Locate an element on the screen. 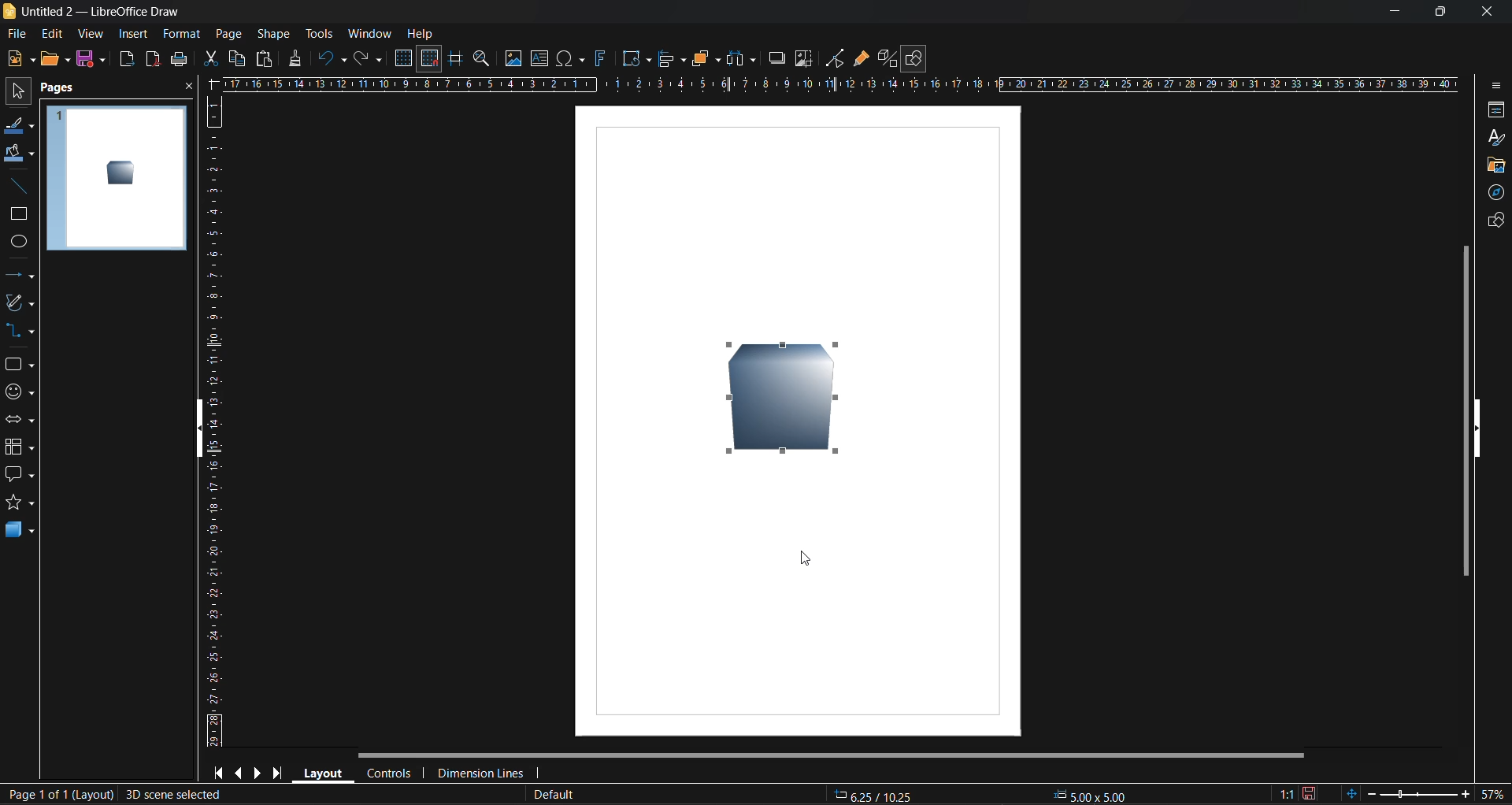 Image resolution: width=1512 pixels, height=805 pixels. 3d shapes is located at coordinates (20, 532).